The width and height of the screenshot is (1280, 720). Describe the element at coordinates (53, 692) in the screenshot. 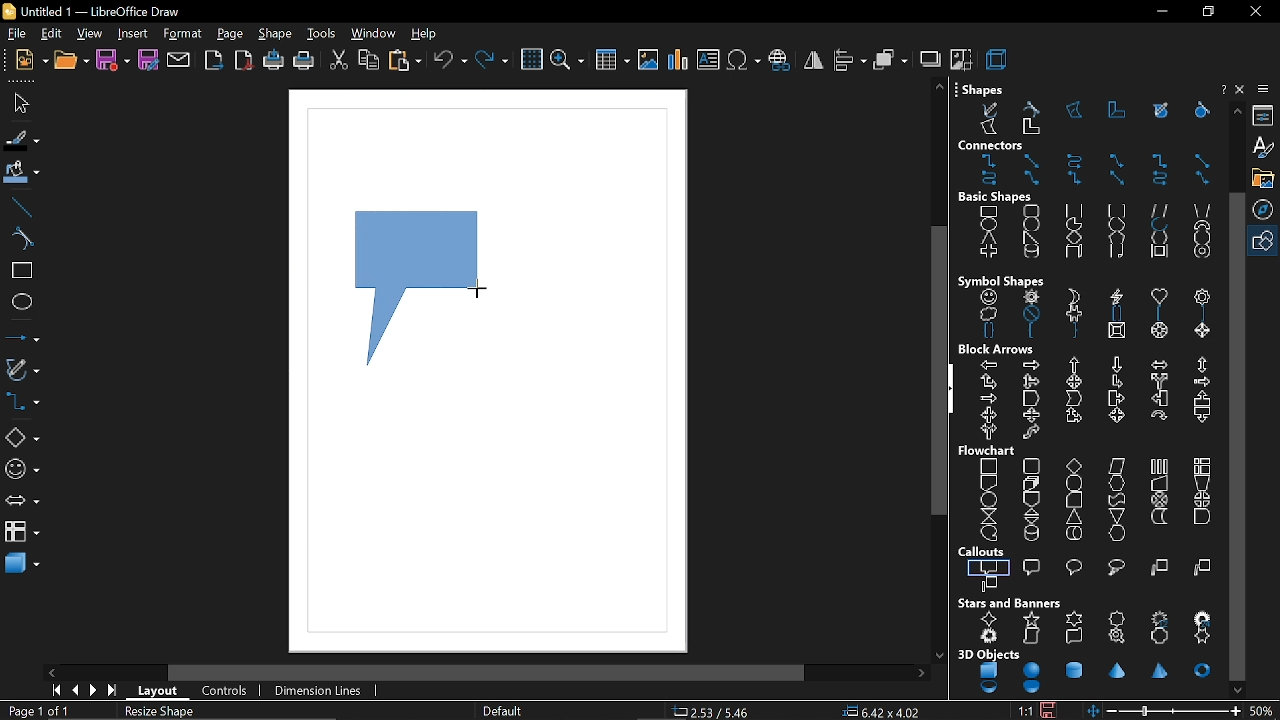

I see `go to first page` at that location.